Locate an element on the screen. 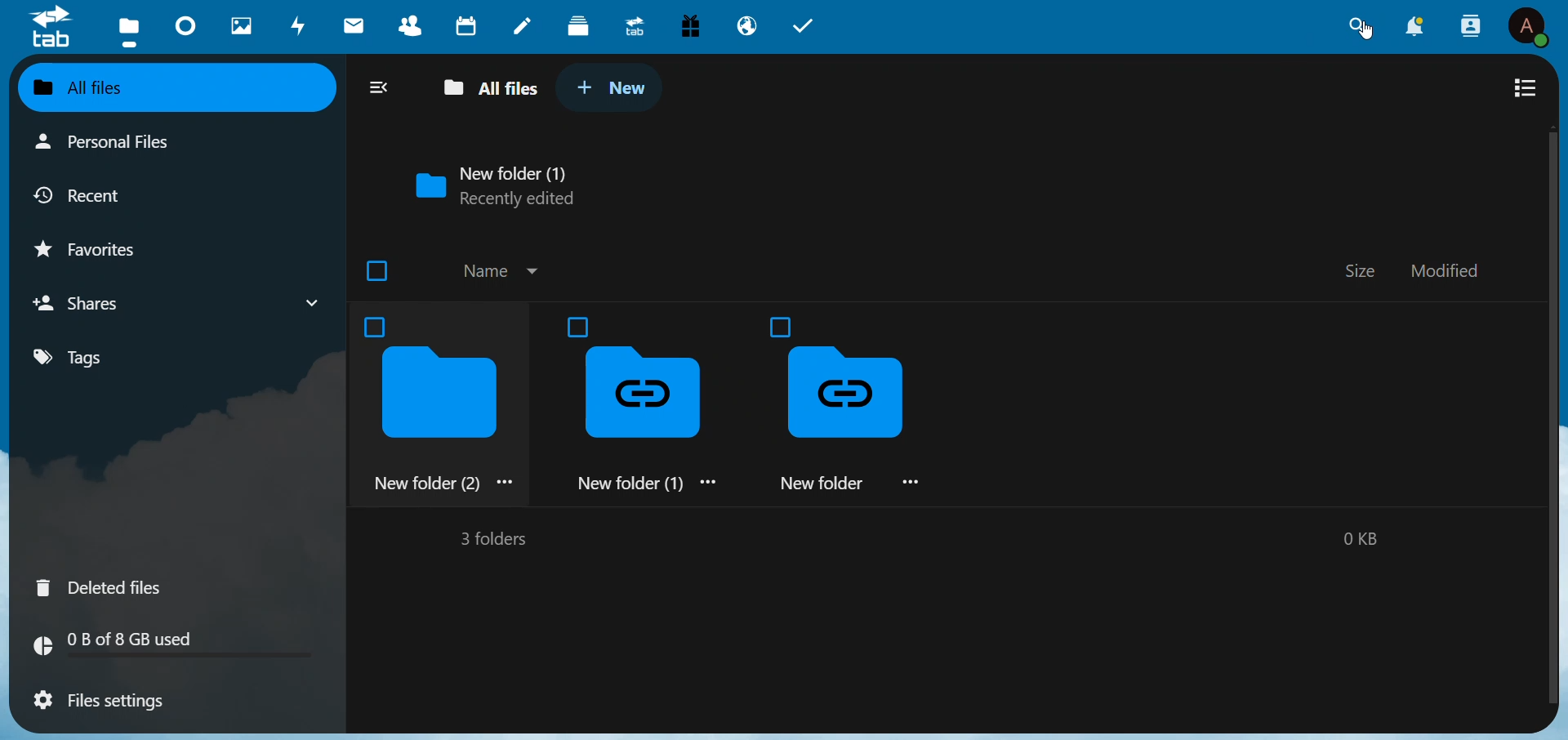 This screenshot has height=740, width=1568. favorites is located at coordinates (94, 248).